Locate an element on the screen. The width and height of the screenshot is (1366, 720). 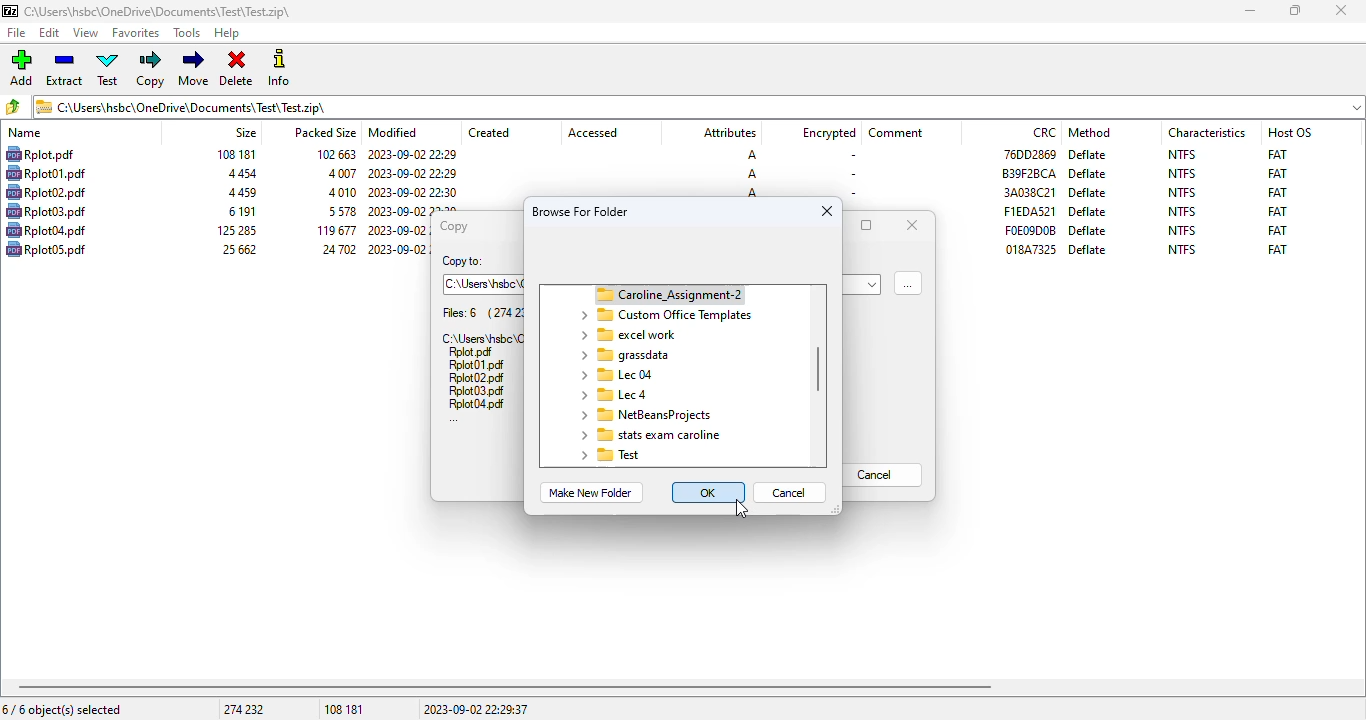
maximize is located at coordinates (867, 225).